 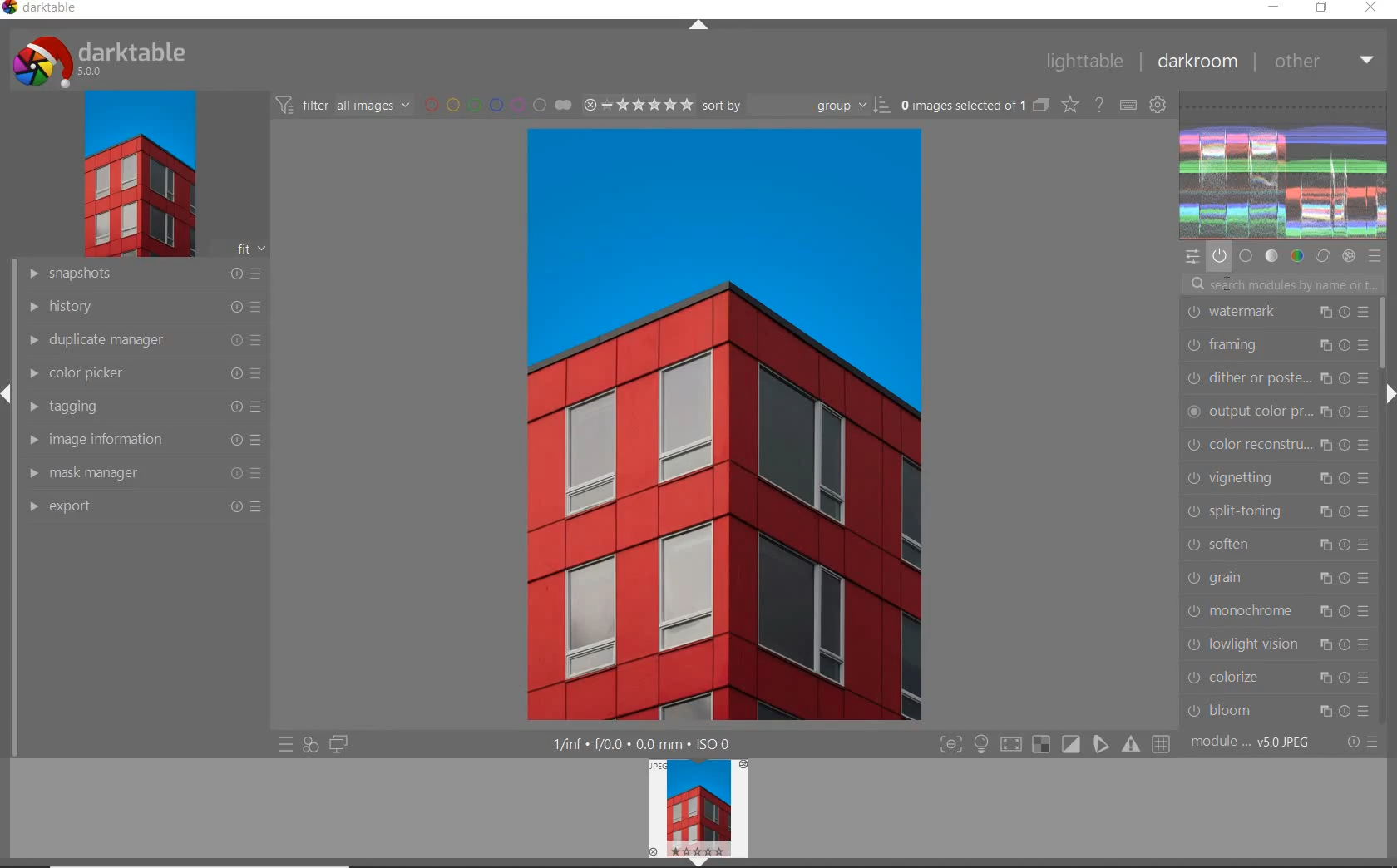 What do you see at coordinates (143, 407) in the screenshot?
I see `tagging` at bounding box center [143, 407].